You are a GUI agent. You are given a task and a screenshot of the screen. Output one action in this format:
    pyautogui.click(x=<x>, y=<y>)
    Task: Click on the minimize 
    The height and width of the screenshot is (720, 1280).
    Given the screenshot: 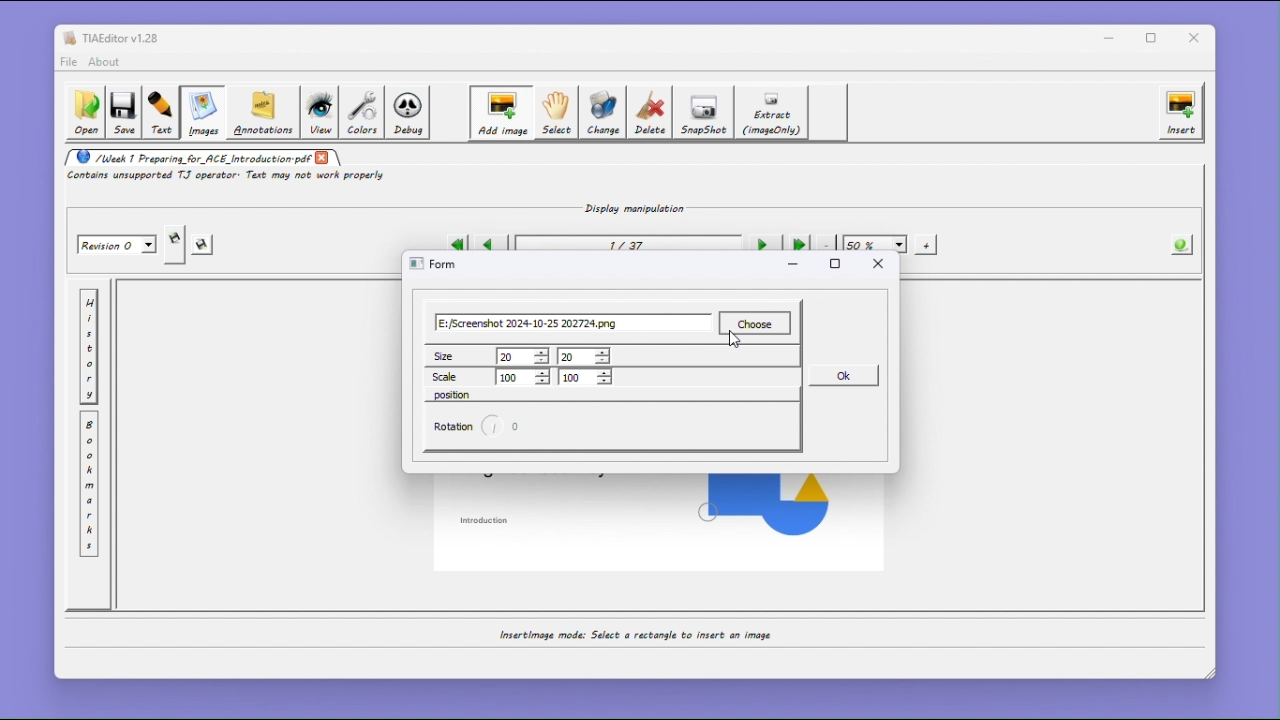 What is the action you would take?
    pyautogui.click(x=1109, y=37)
    